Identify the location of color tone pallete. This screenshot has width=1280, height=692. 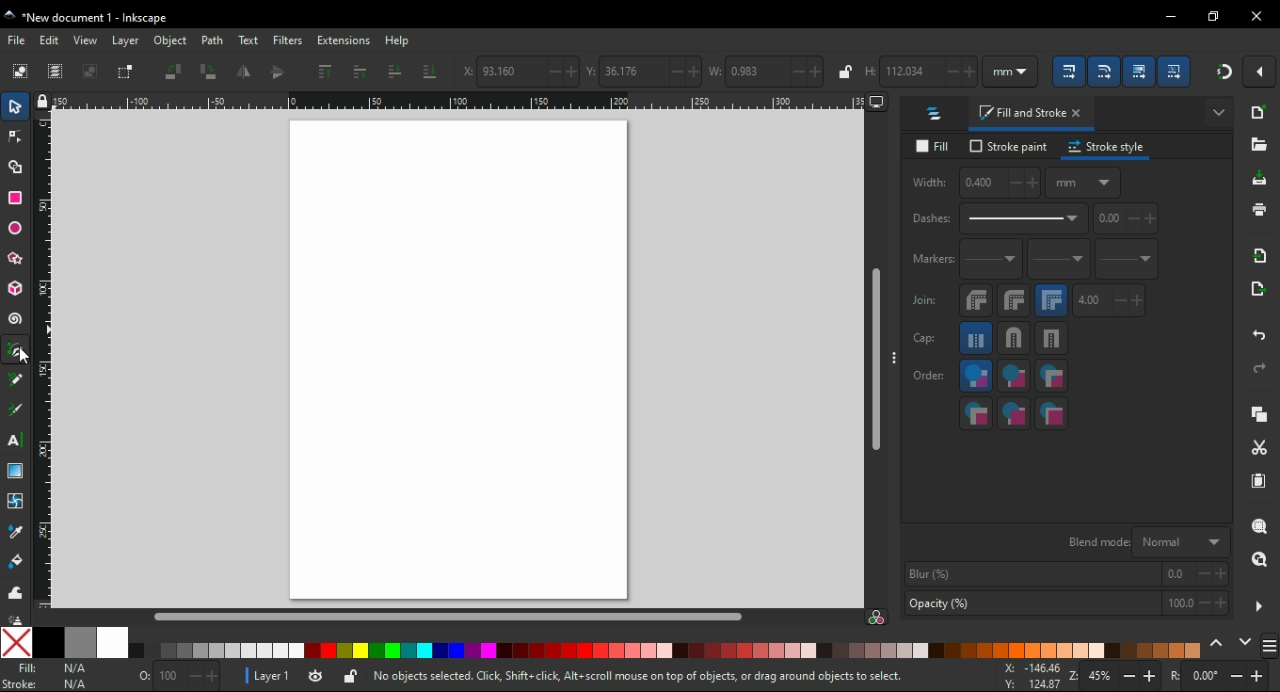
(1027, 650).